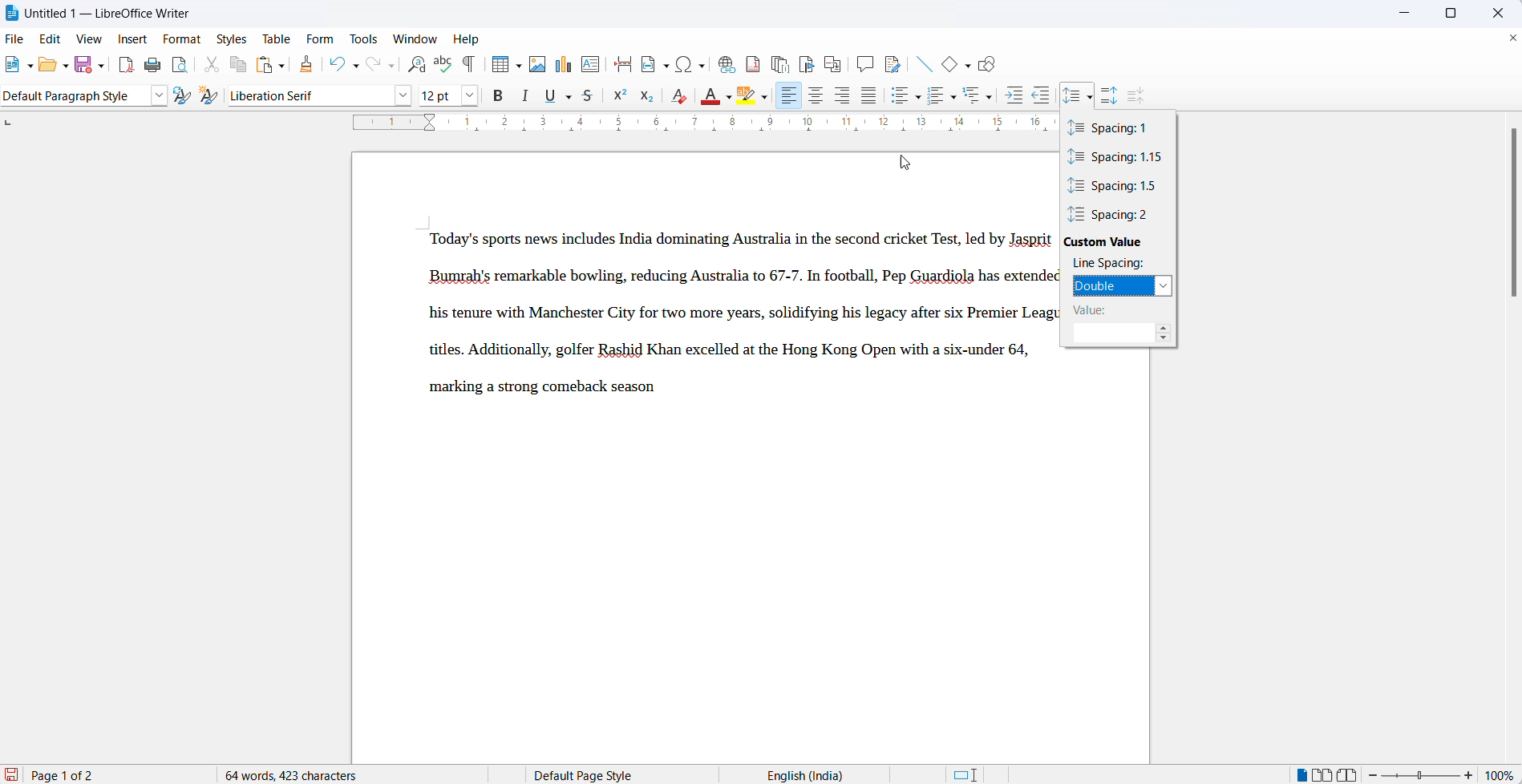 The width and height of the screenshot is (1522, 784). Describe the element at coordinates (31, 67) in the screenshot. I see `new file options` at that location.